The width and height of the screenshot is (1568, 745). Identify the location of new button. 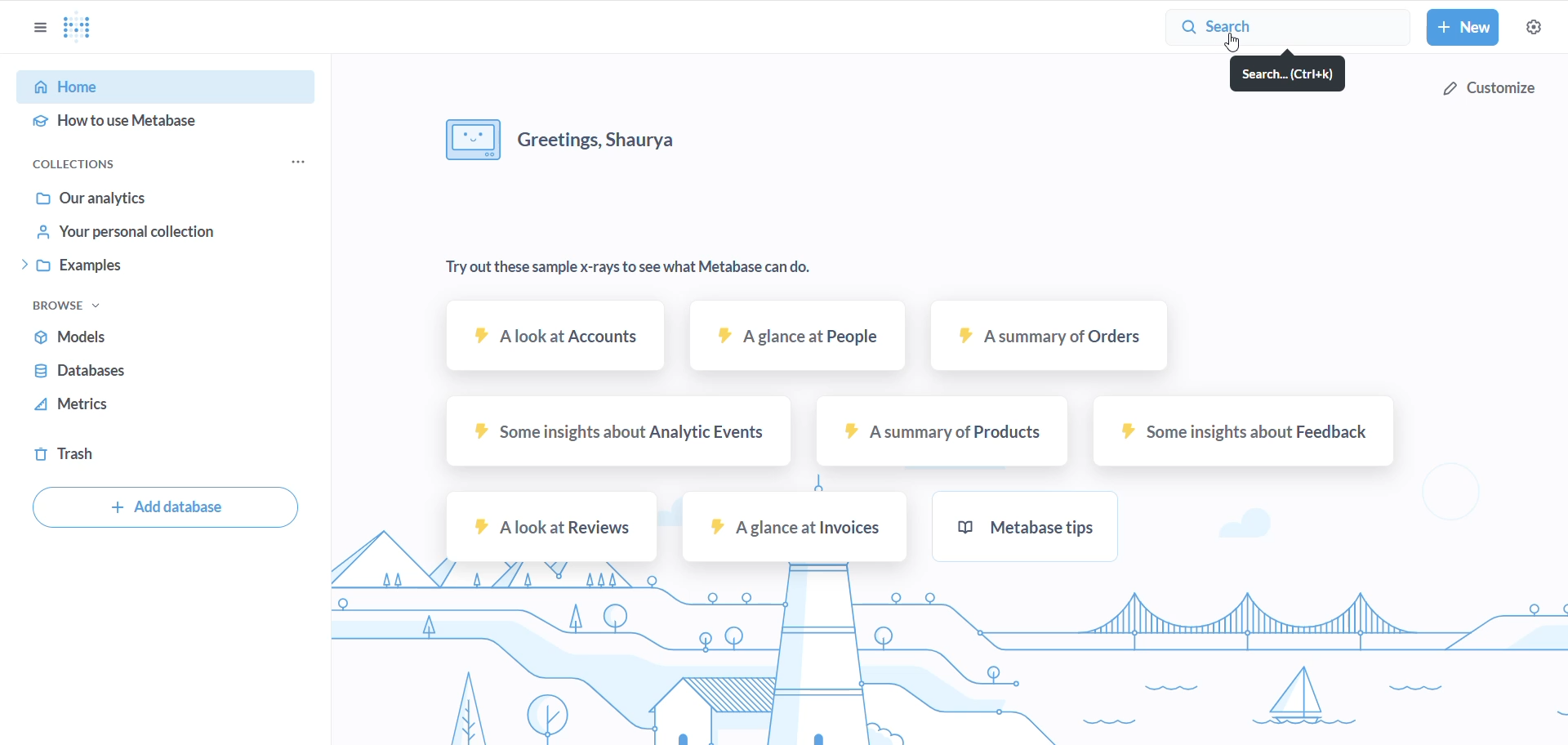
(1466, 29).